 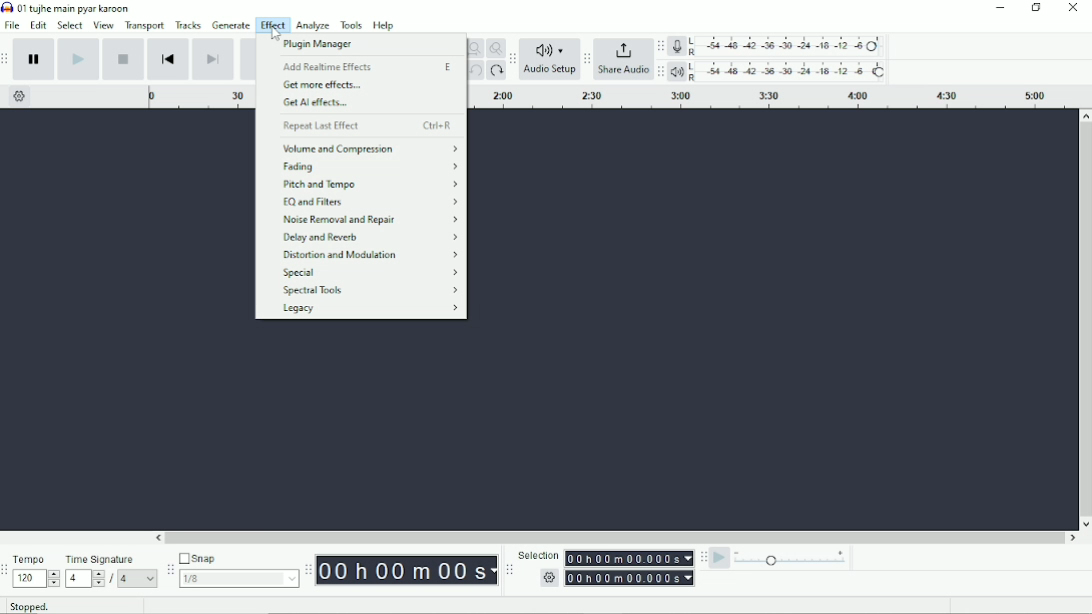 I want to click on Delay and Reverb, so click(x=370, y=238).